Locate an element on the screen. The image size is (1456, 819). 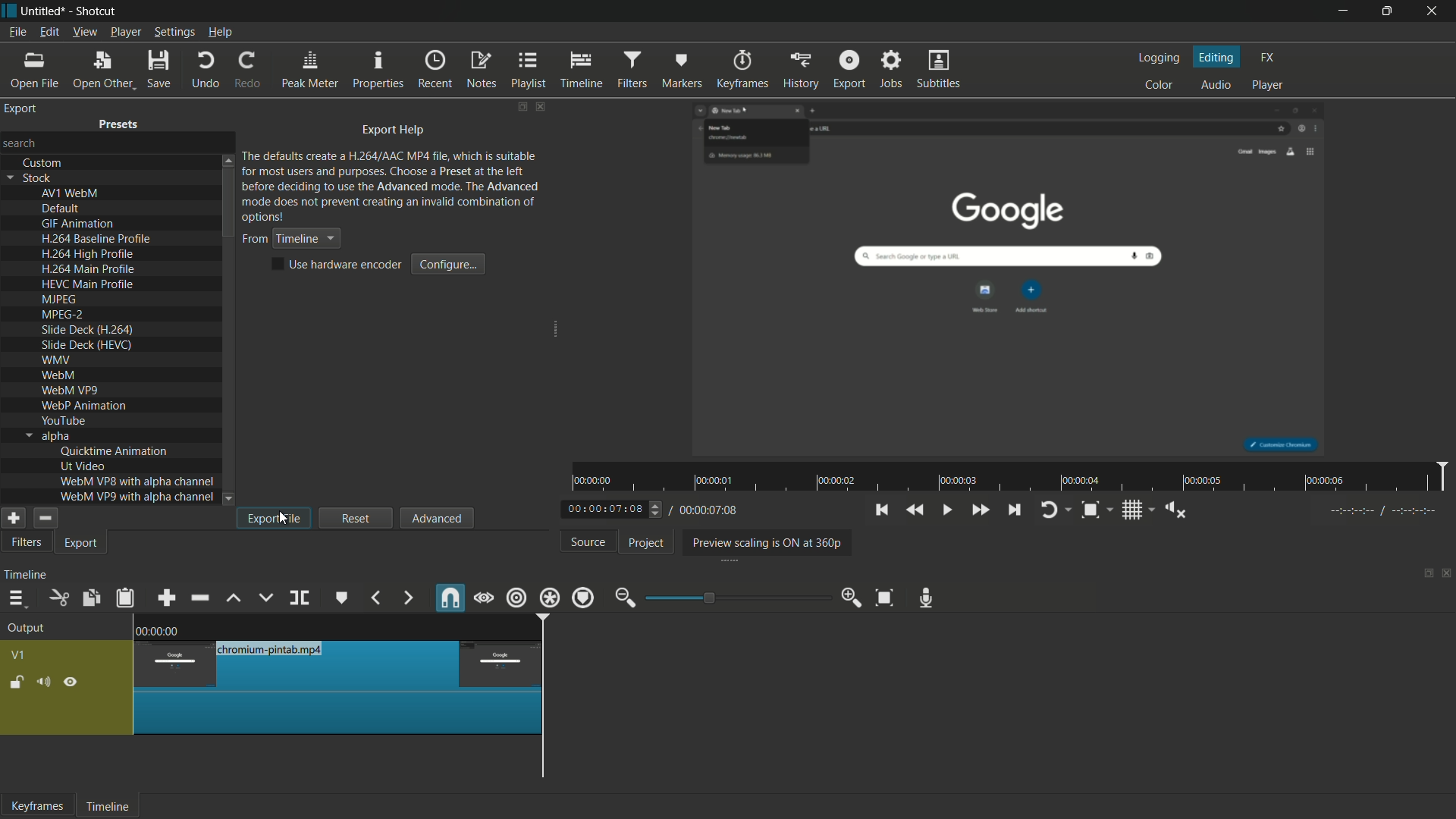
output is located at coordinates (30, 629).